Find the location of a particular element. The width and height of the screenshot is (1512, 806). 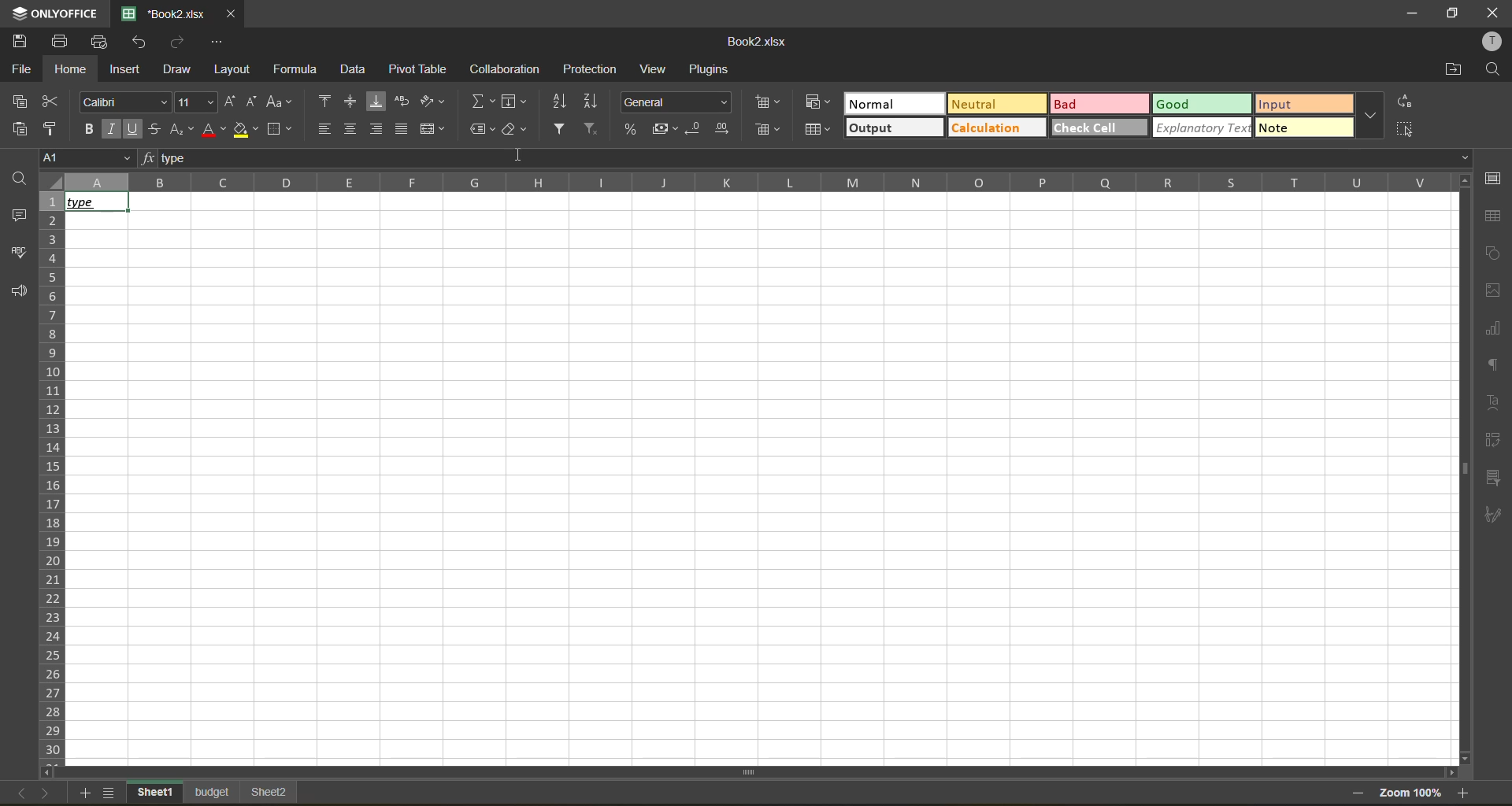

sub/superscript is located at coordinates (183, 130).